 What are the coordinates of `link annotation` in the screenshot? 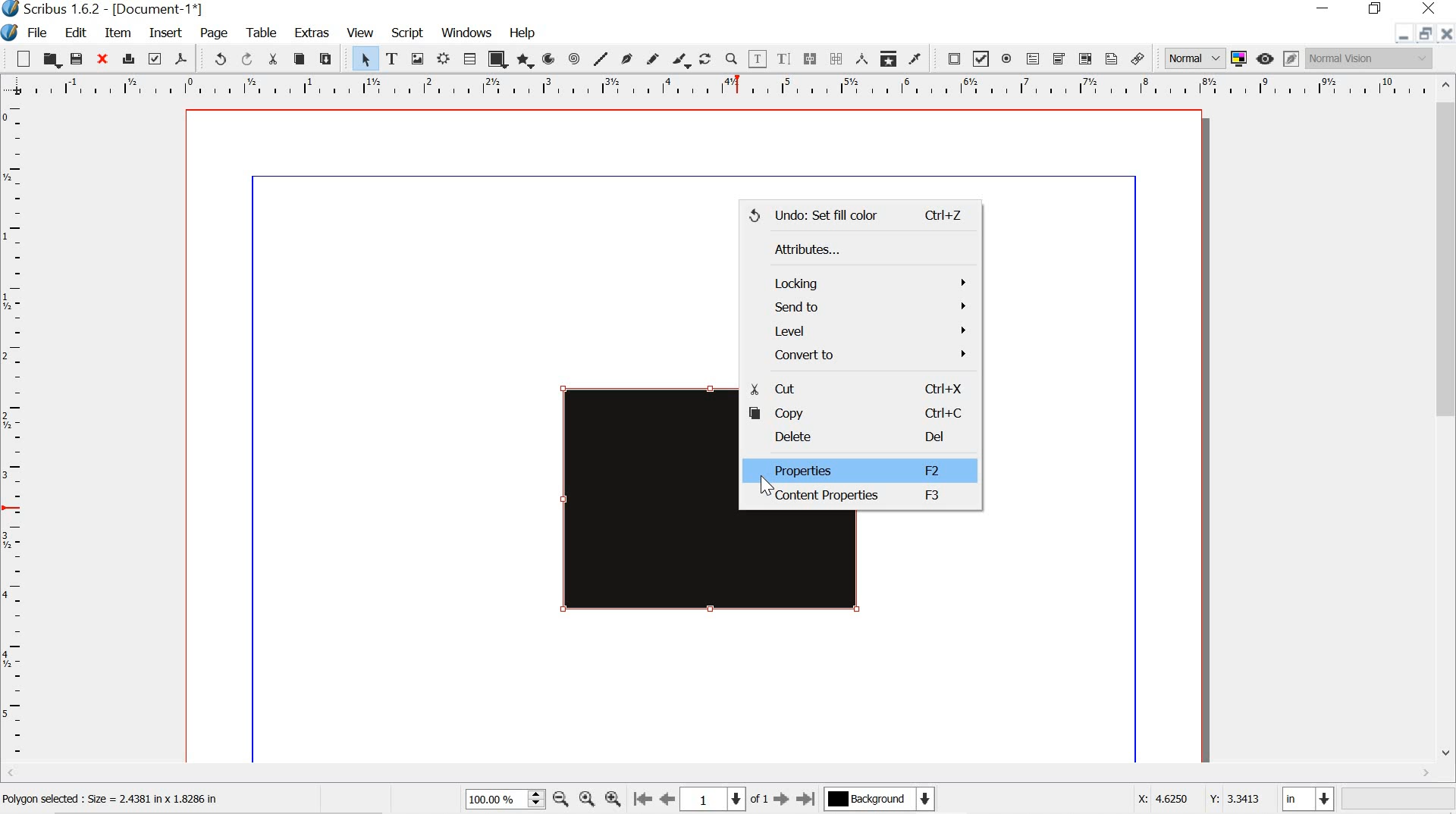 It's located at (1137, 59).